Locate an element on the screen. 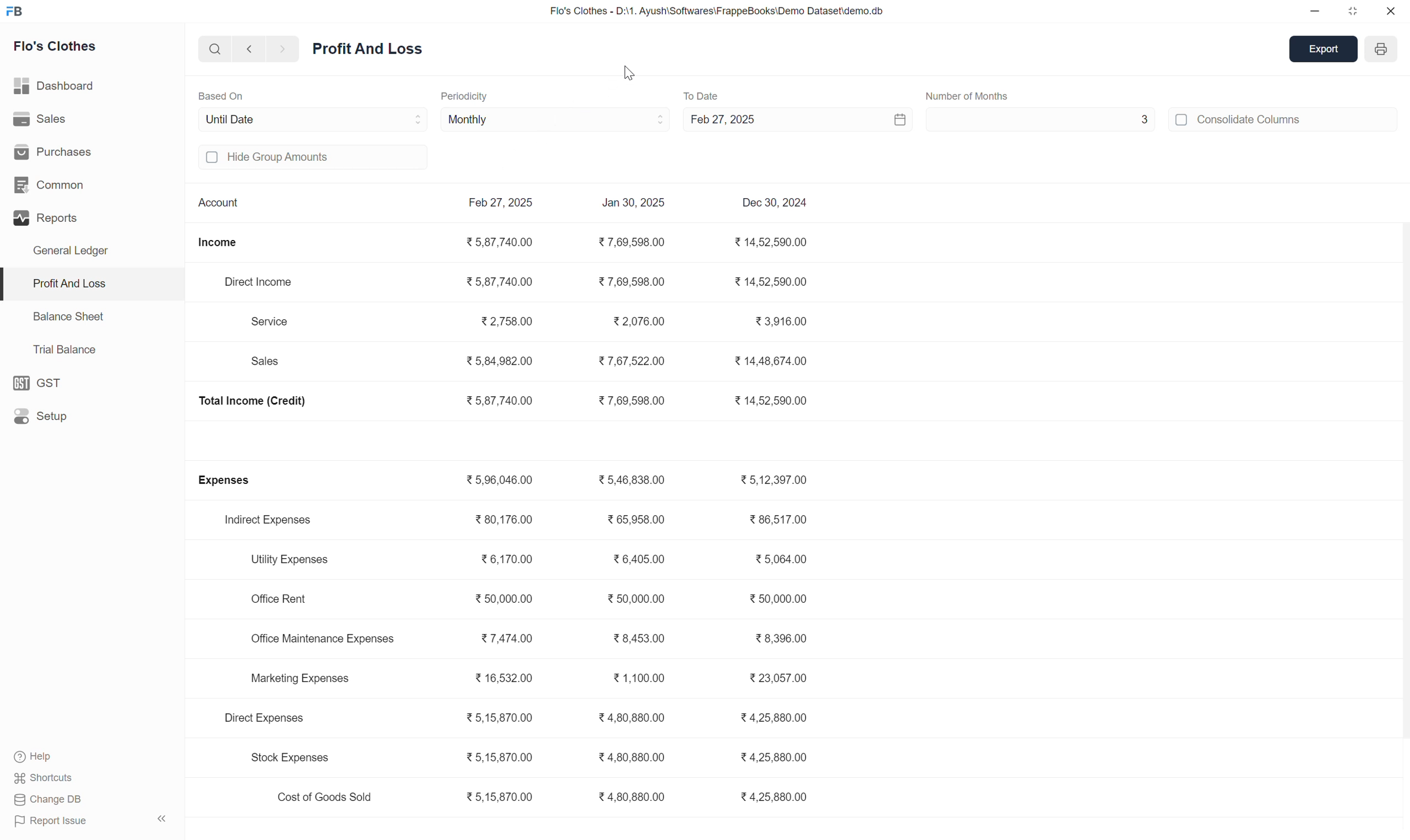  ?Help is located at coordinates (54, 756).